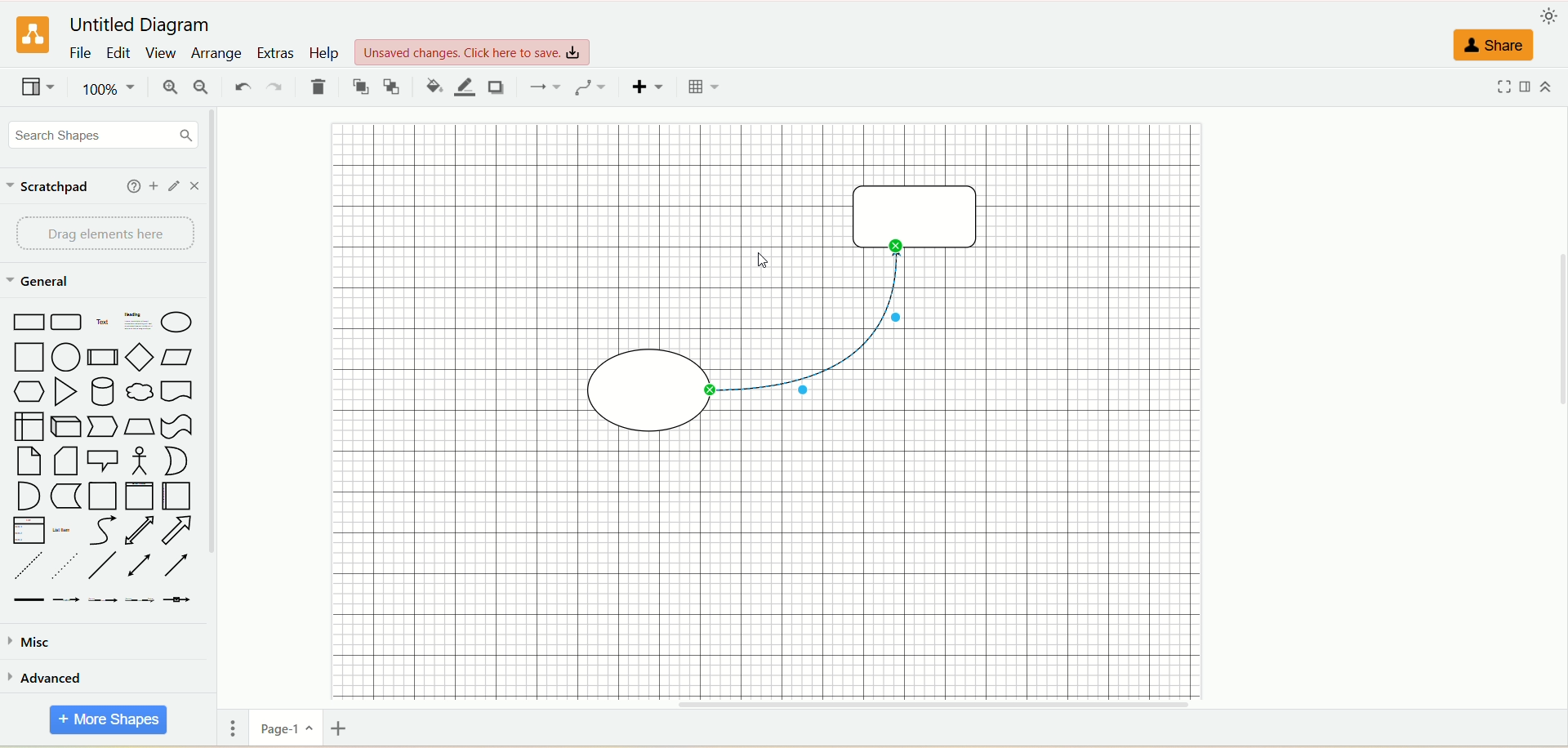 The width and height of the screenshot is (1568, 748). I want to click on shape, so click(640, 390).